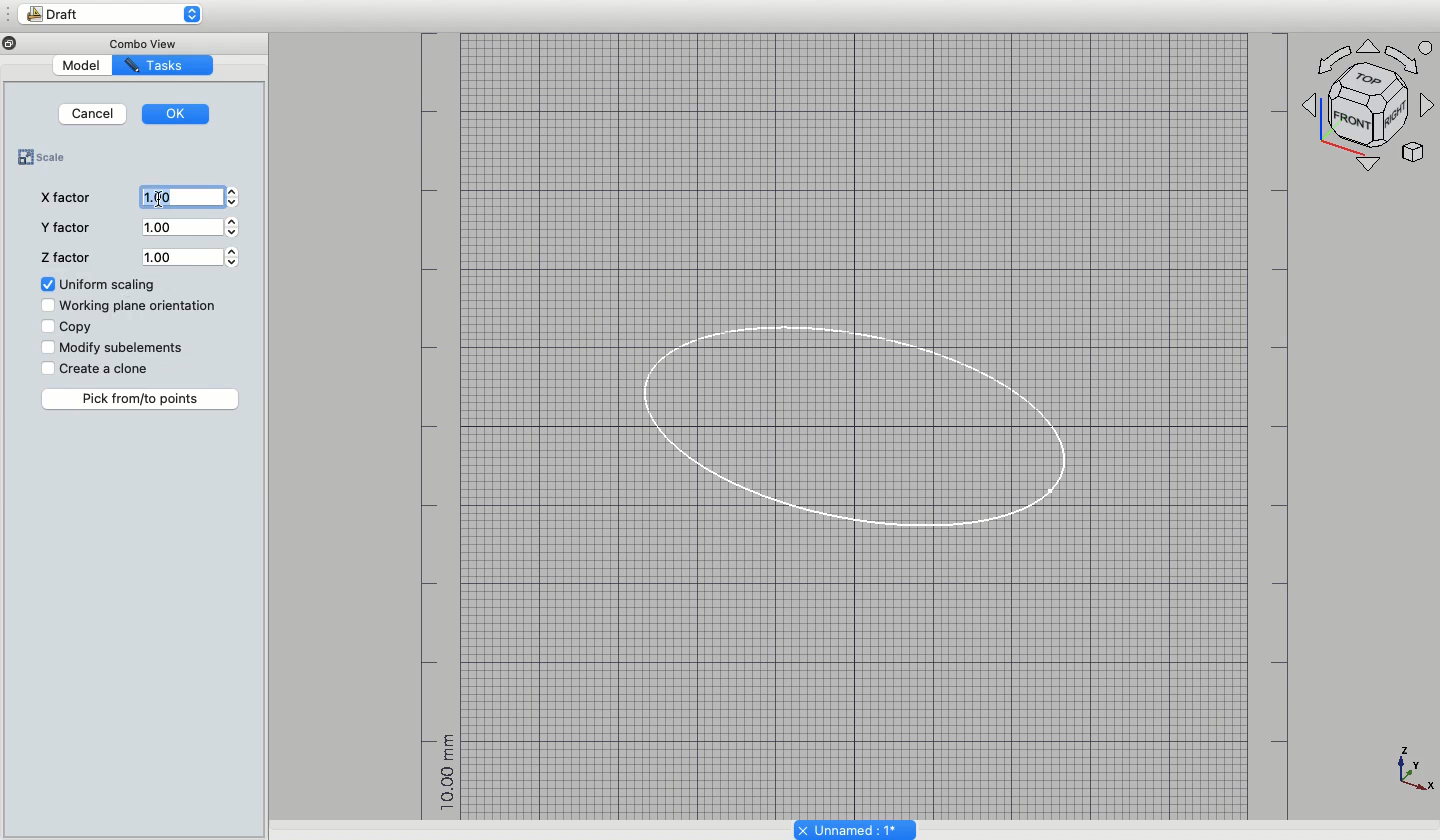  I want to click on Scale, so click(49, 155).